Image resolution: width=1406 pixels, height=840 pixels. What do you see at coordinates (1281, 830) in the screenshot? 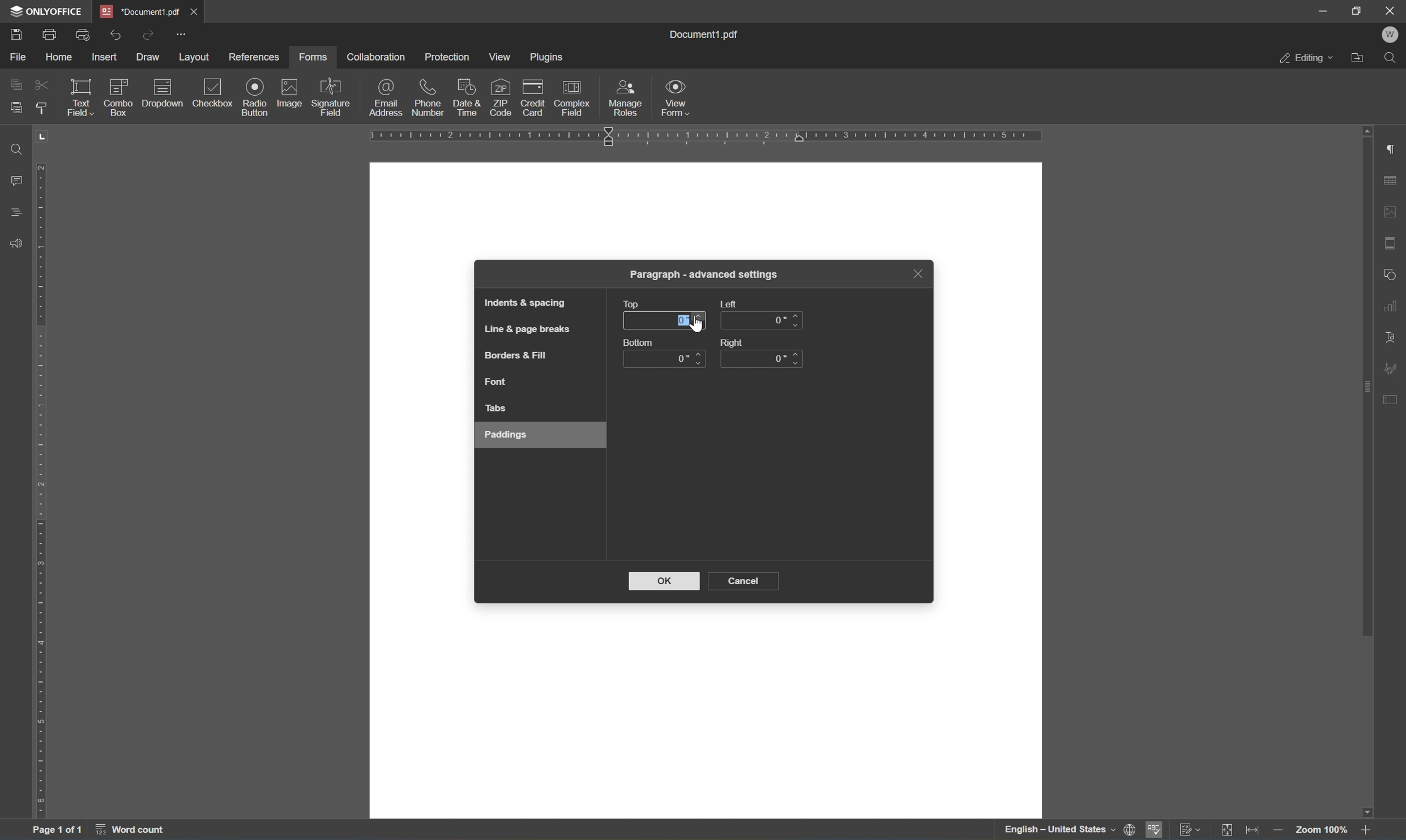
I see `zoom out` at bounding box center [1281, 830].